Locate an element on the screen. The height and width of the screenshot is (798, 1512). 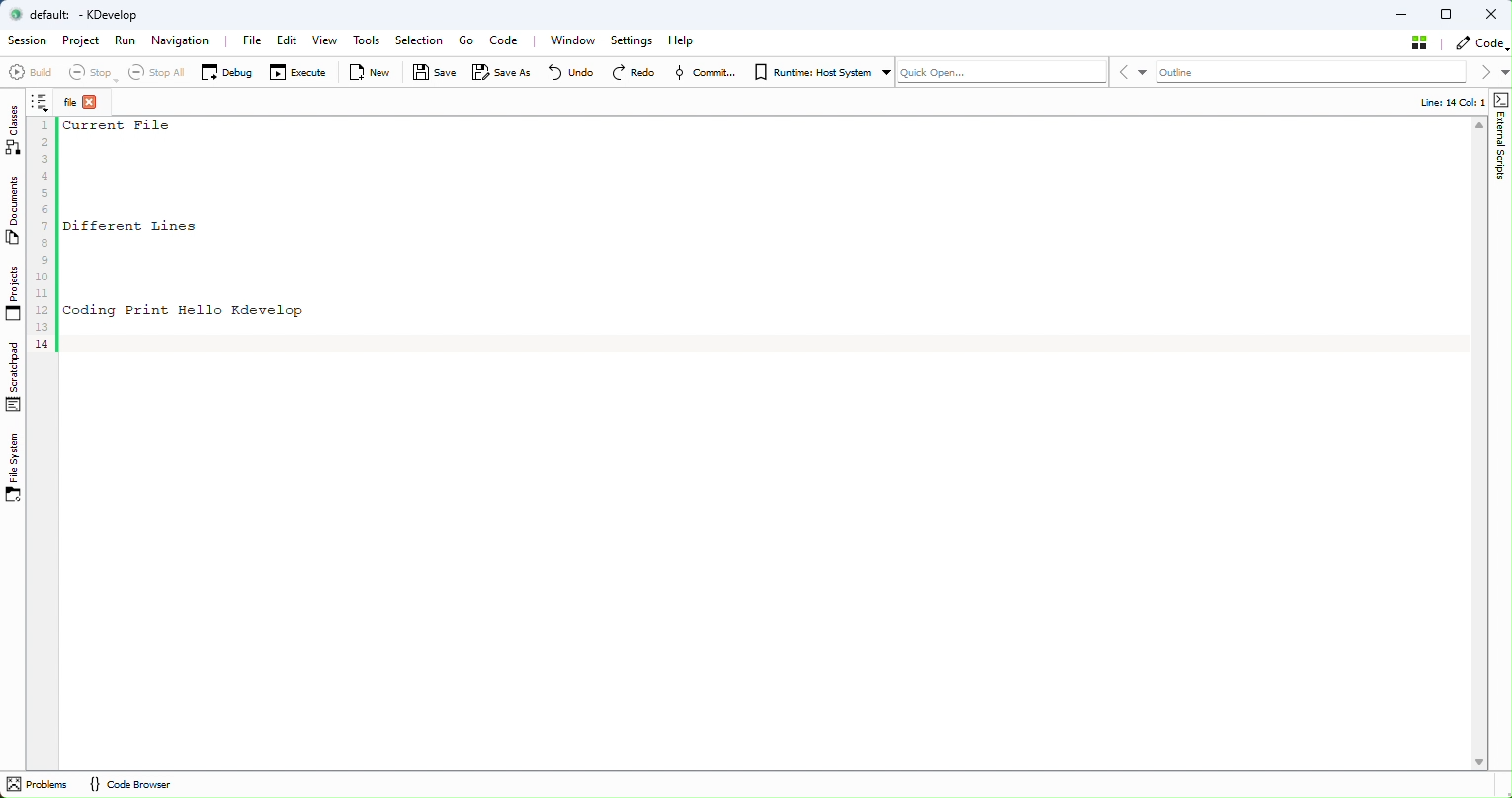
Shape is located at coordinates (1499, 141).